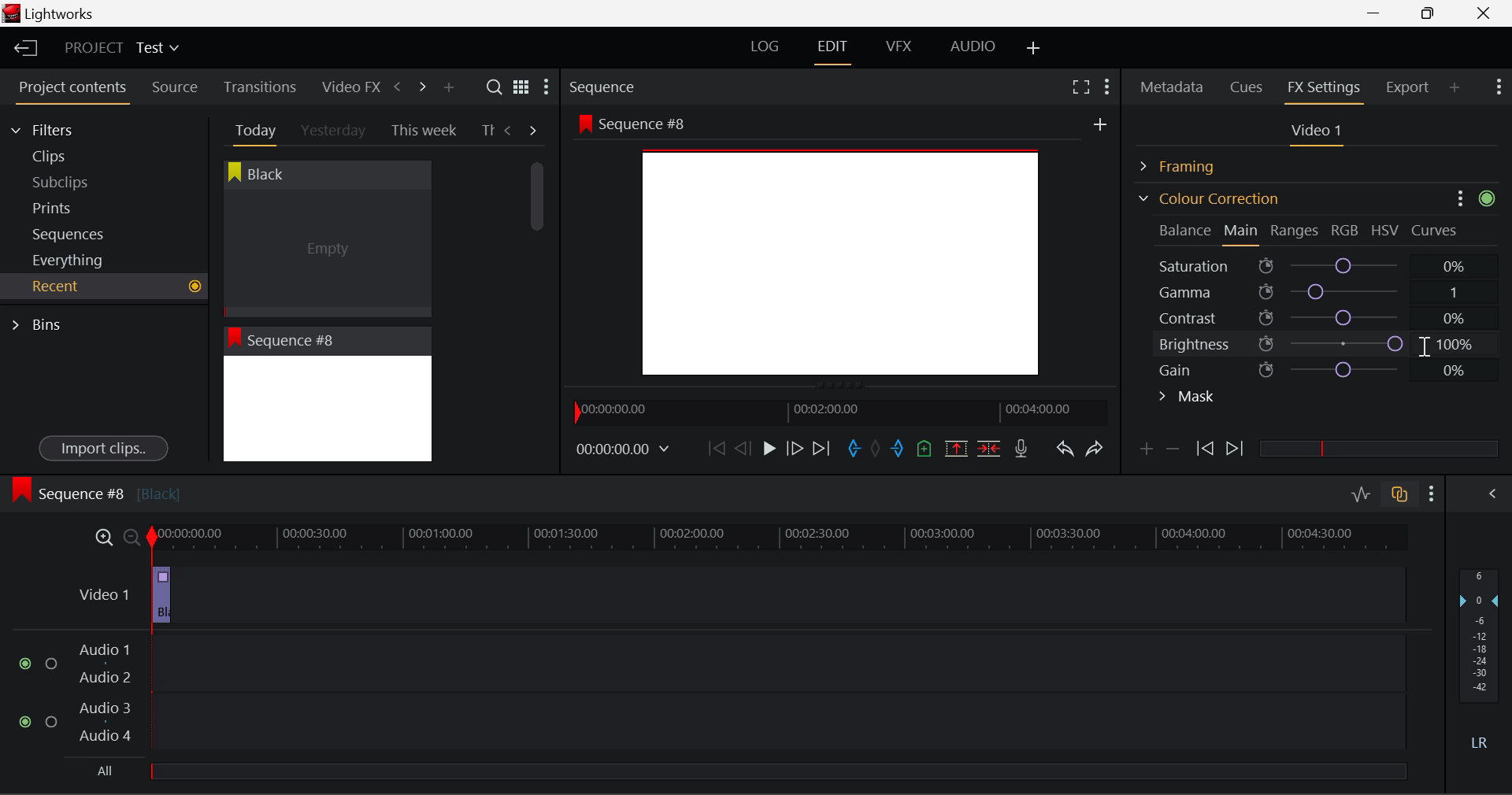  What do you see at coordinates (260, 87) in the screenshot?
I see `Transitions` at bounding box center [260, 87].